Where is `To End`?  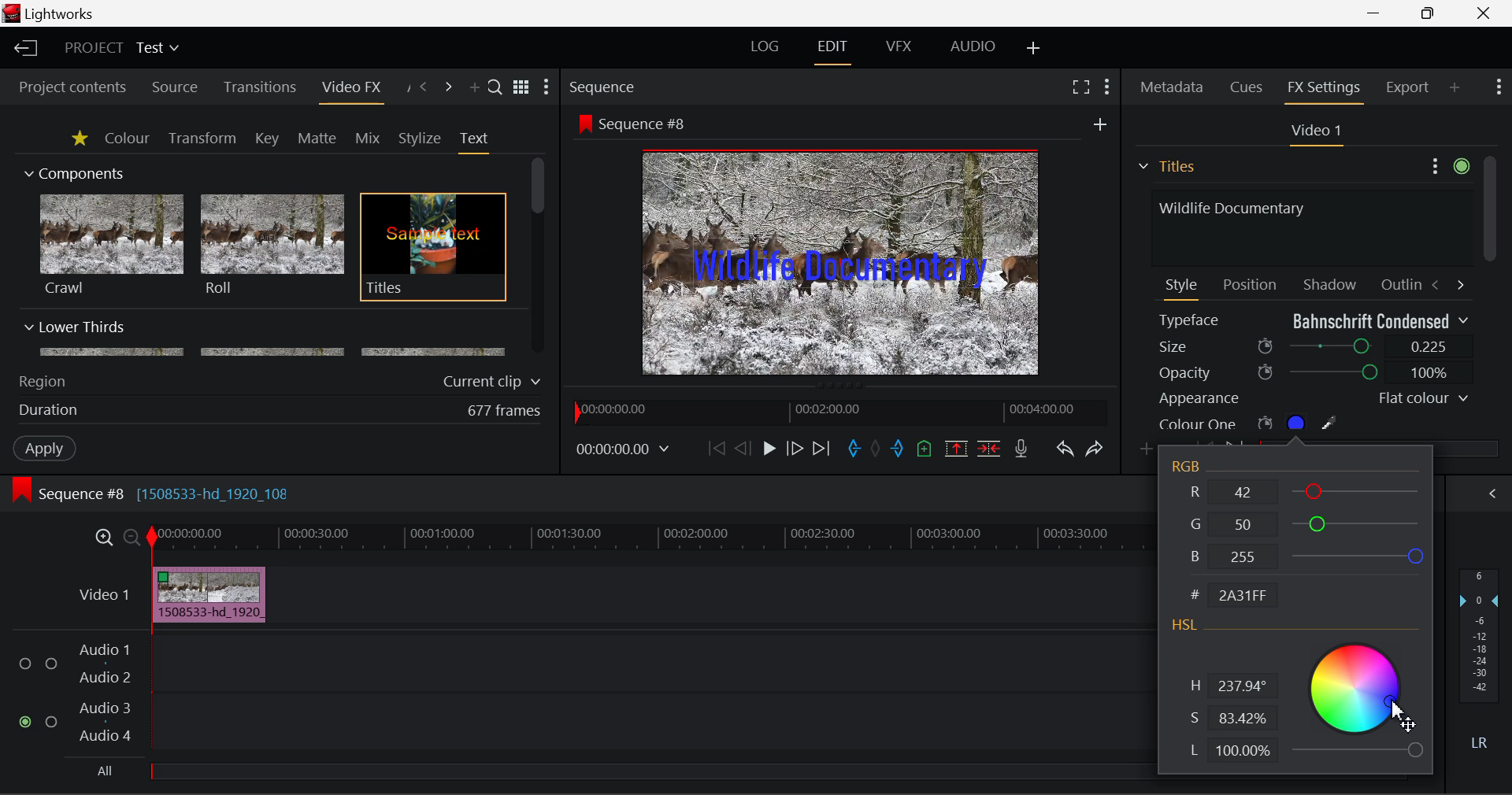 To End is located at coordinates (822, 451).